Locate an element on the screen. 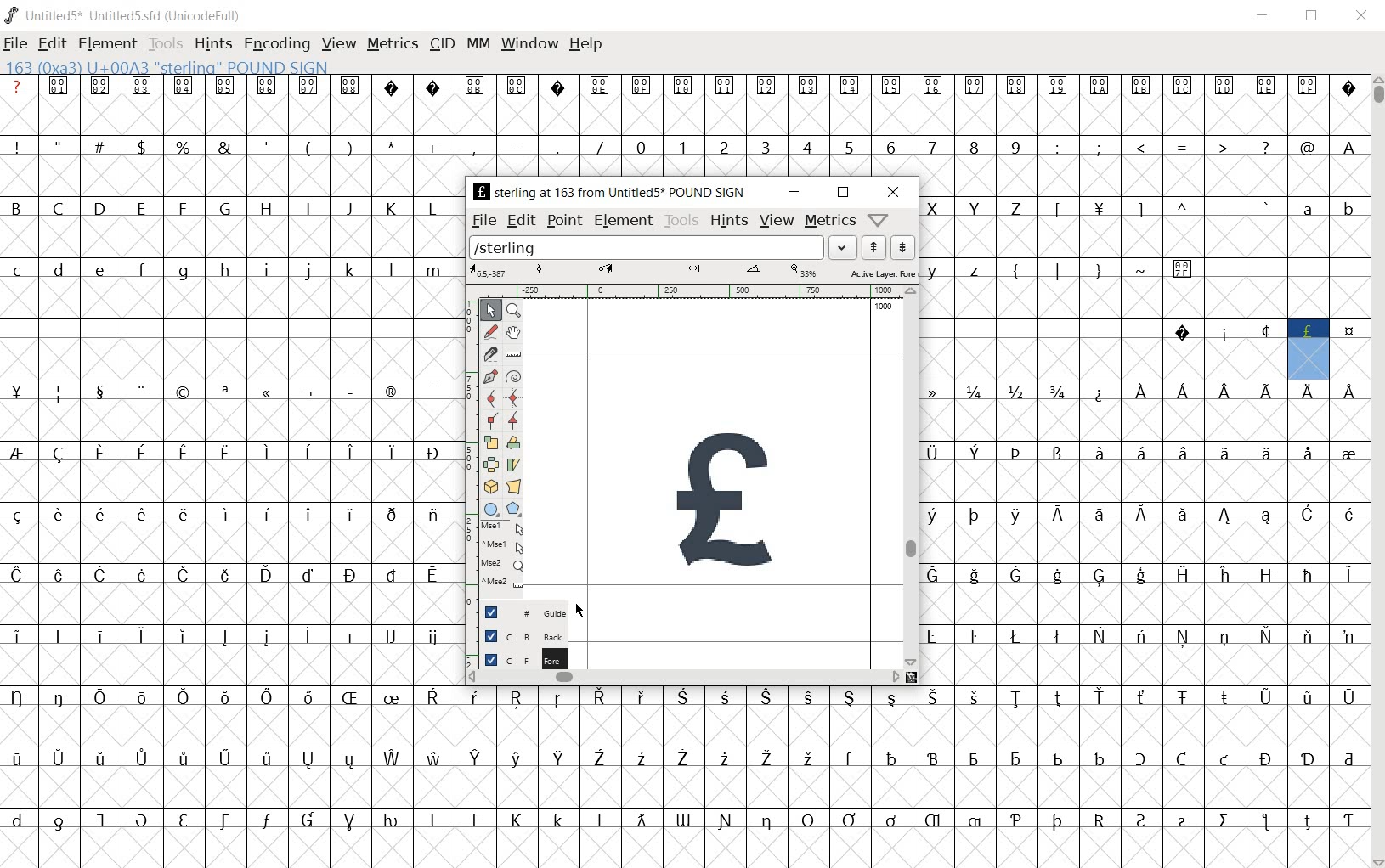 This screenshot has width=1385, height=868. Symbol is located at coordinates (432, 452).